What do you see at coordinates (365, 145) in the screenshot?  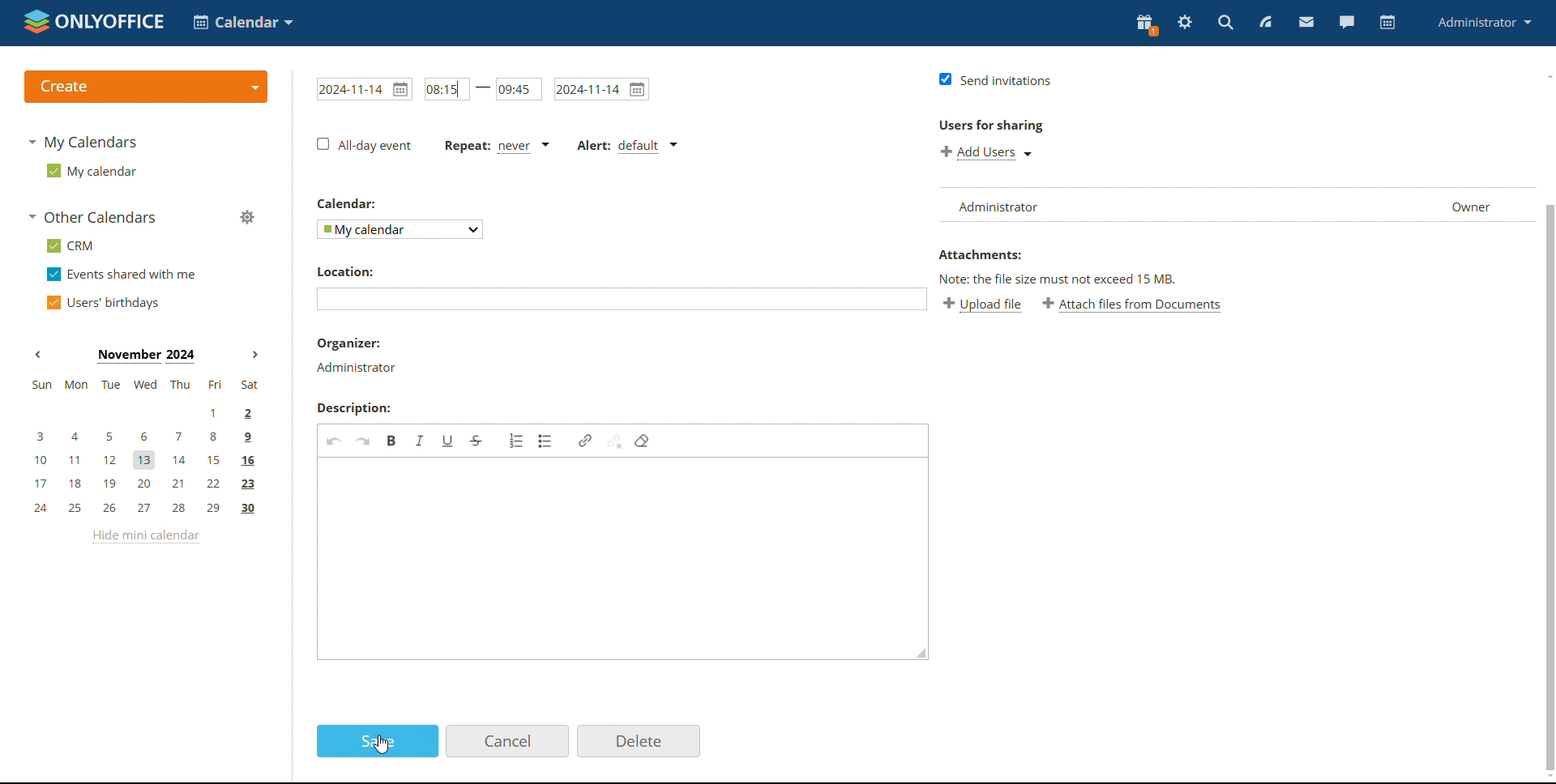 I see `all-day event checkbox` at bounding box center [365, 145].